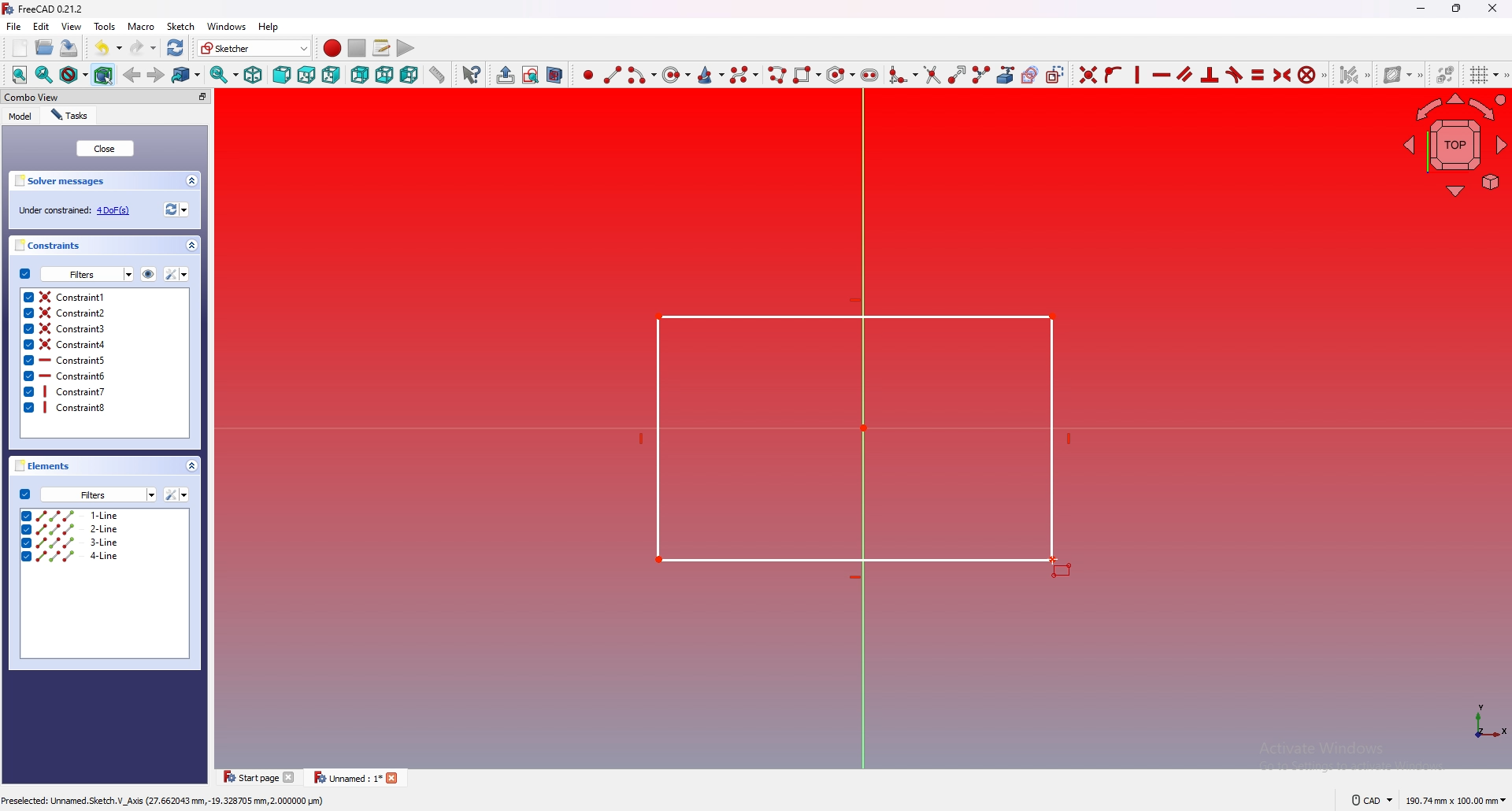  Describe the element at coordinates (643, 75) in the screenshot. I see `create arc` at that location.